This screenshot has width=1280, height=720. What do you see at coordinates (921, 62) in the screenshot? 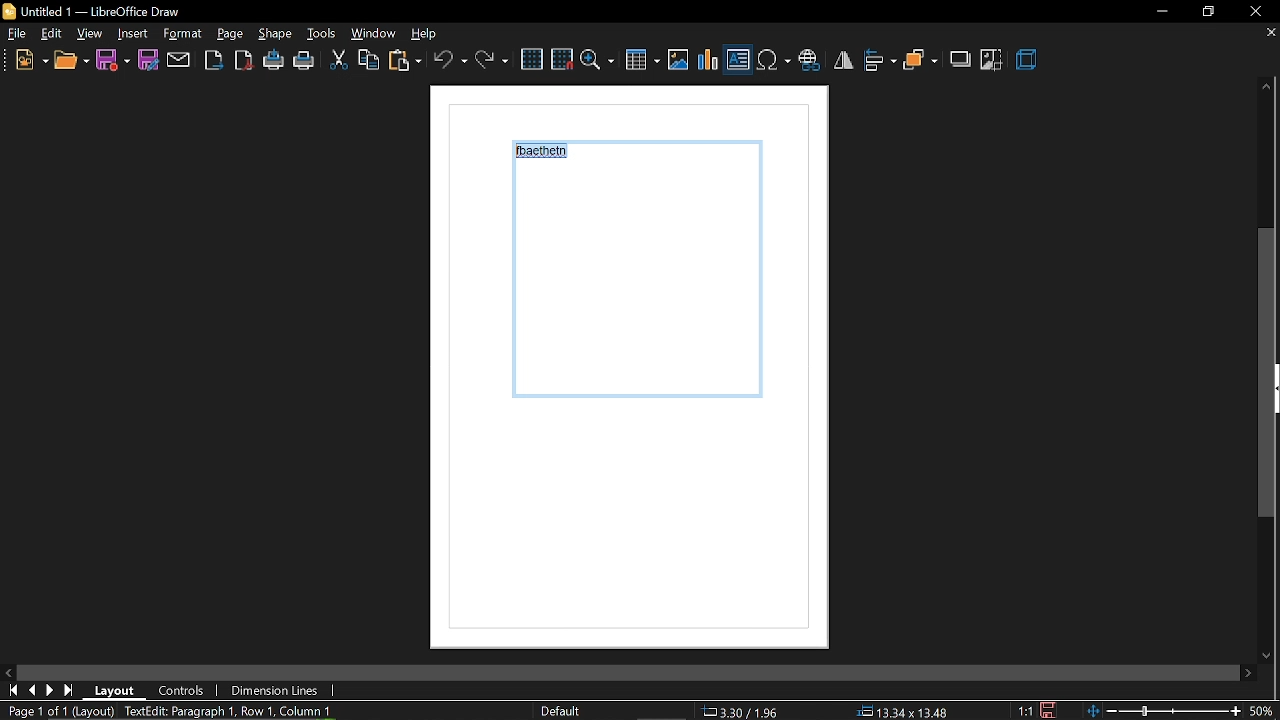
I see `arrange` at bounding box center [921, 62].